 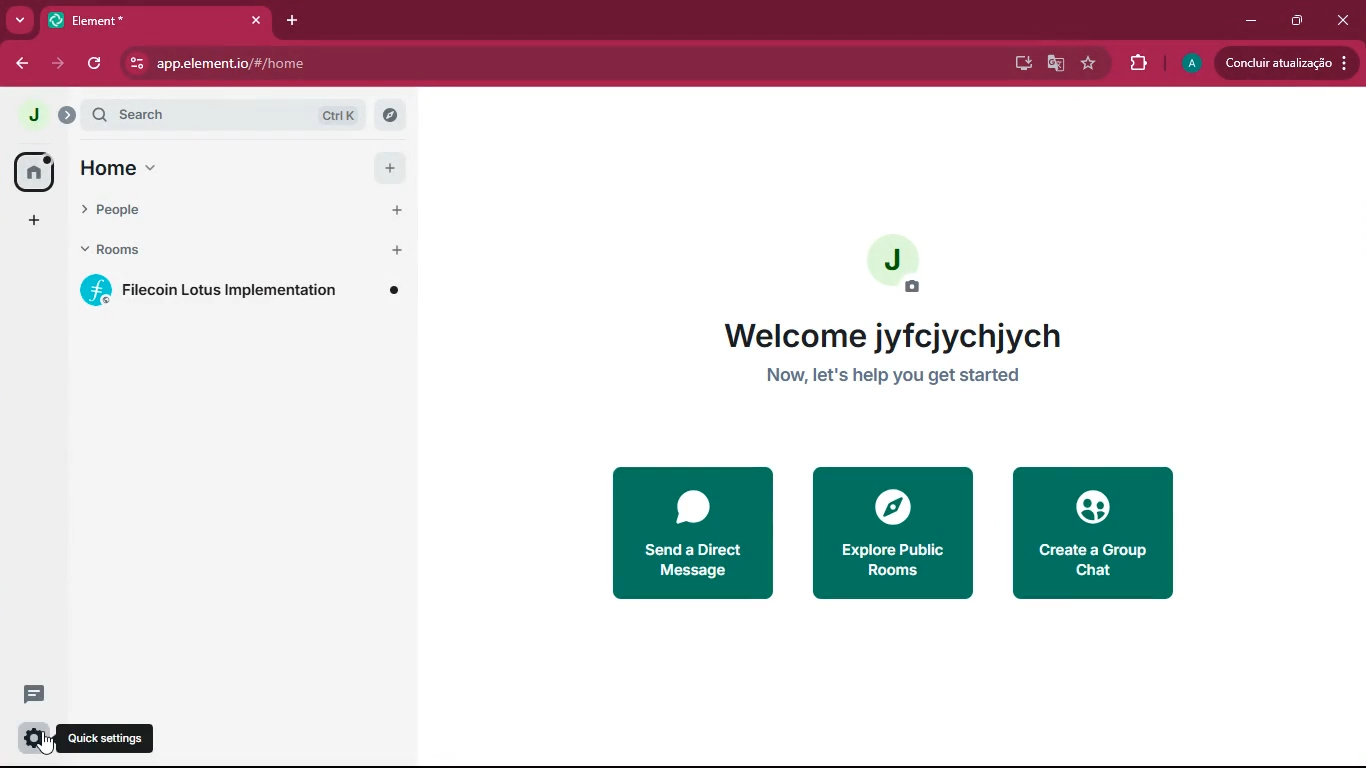 What do you see at coordinates (1137, 63) in the screenshot?
I see `extensions` at bounding box center [1137, 63].